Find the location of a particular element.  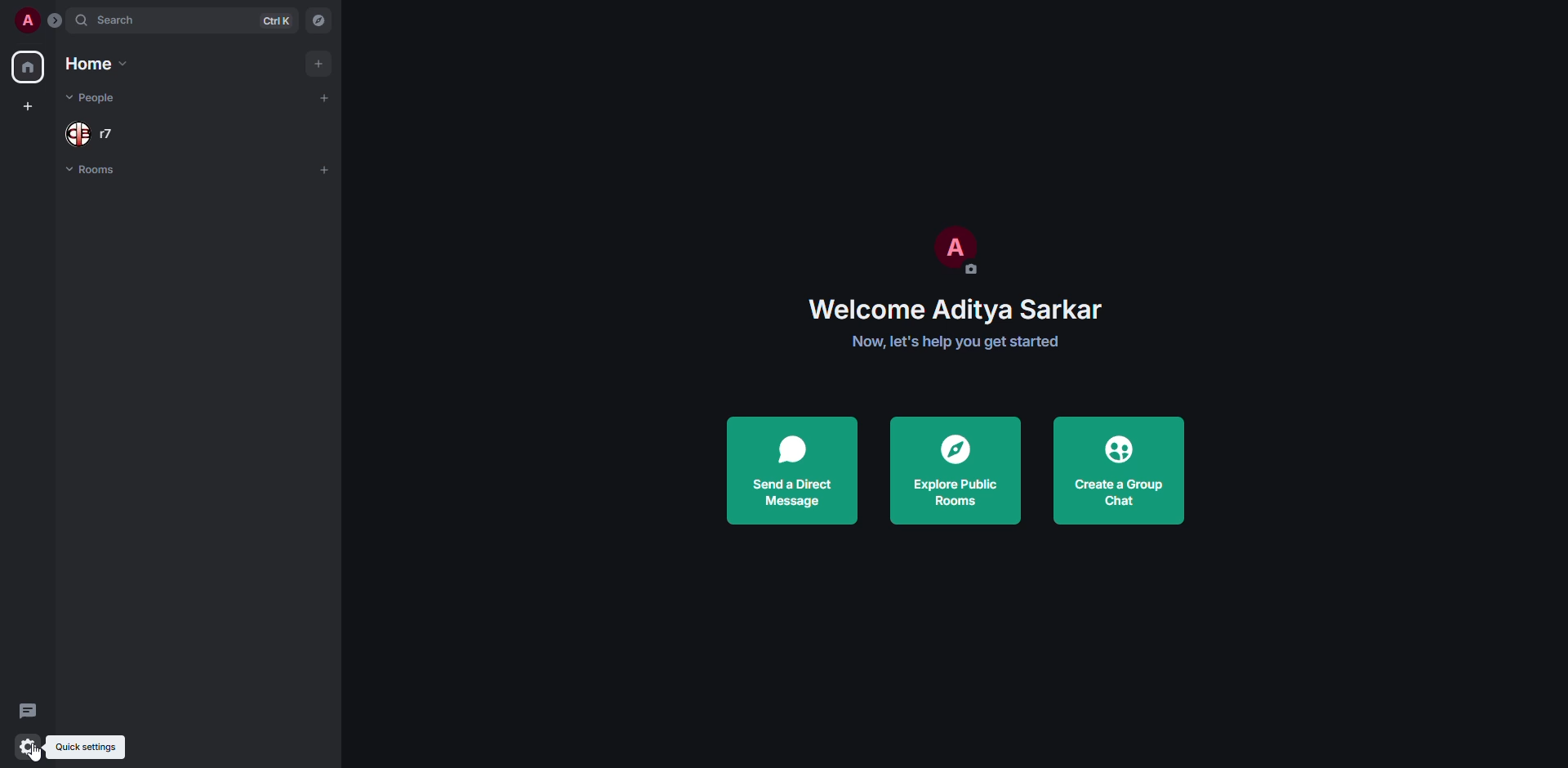

home is located at coordinates (91, 65).